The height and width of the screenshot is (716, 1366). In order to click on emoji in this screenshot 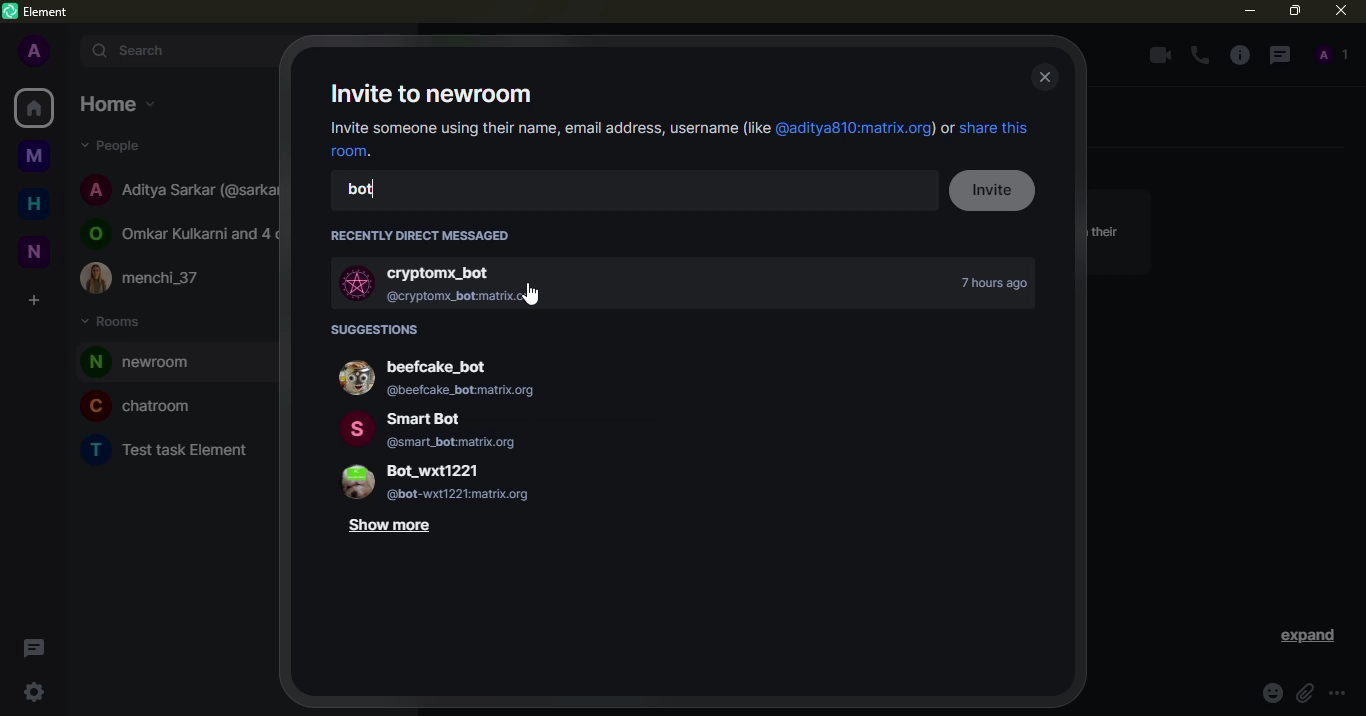, I will do `click(1272, 694)`.